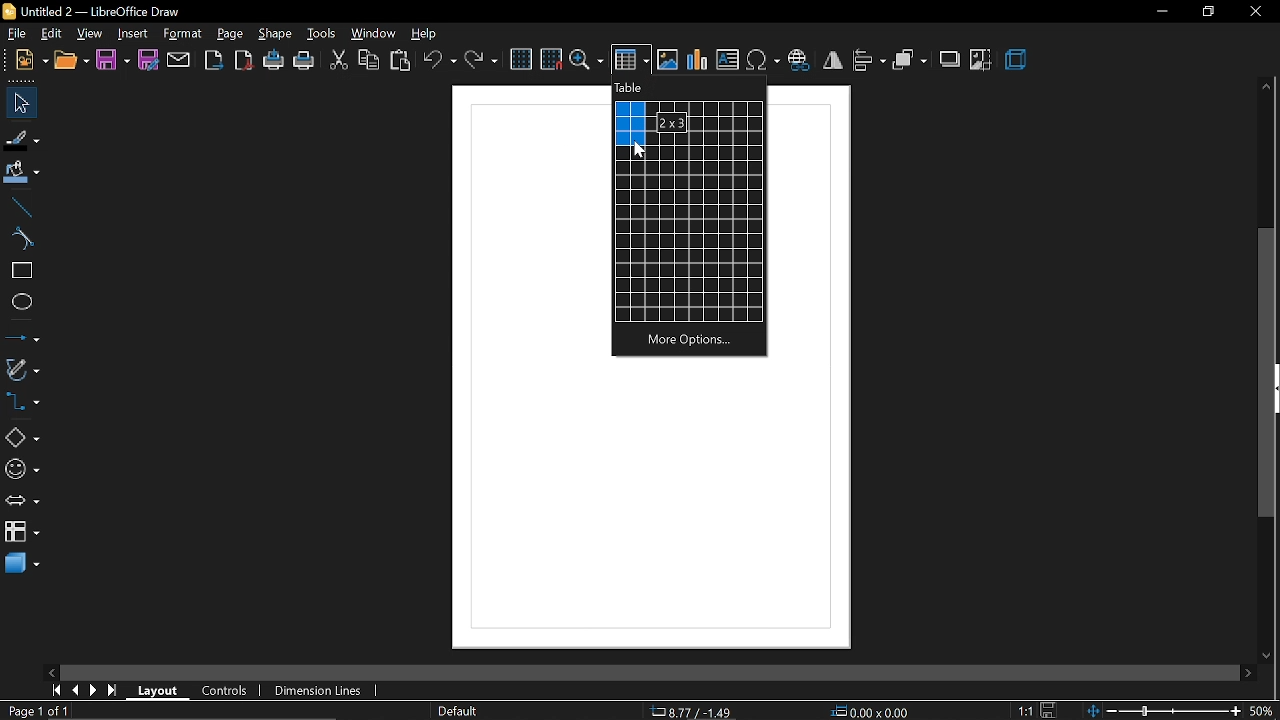  Describe the element at coordinates (692, 342) in the screenshot. I see `More options` at that location.